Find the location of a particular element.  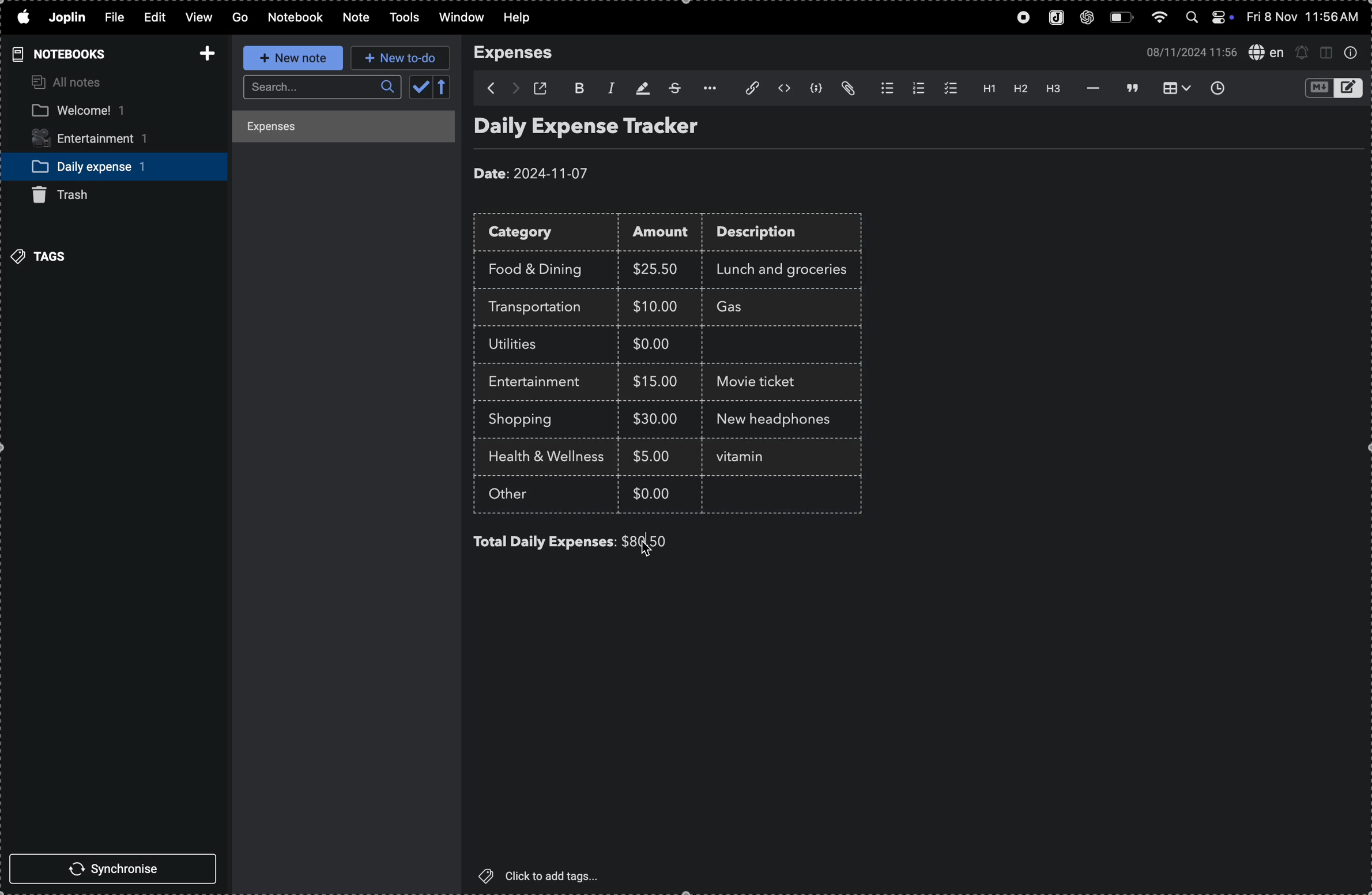

welcome notebook is located at coordinates (101, 111).